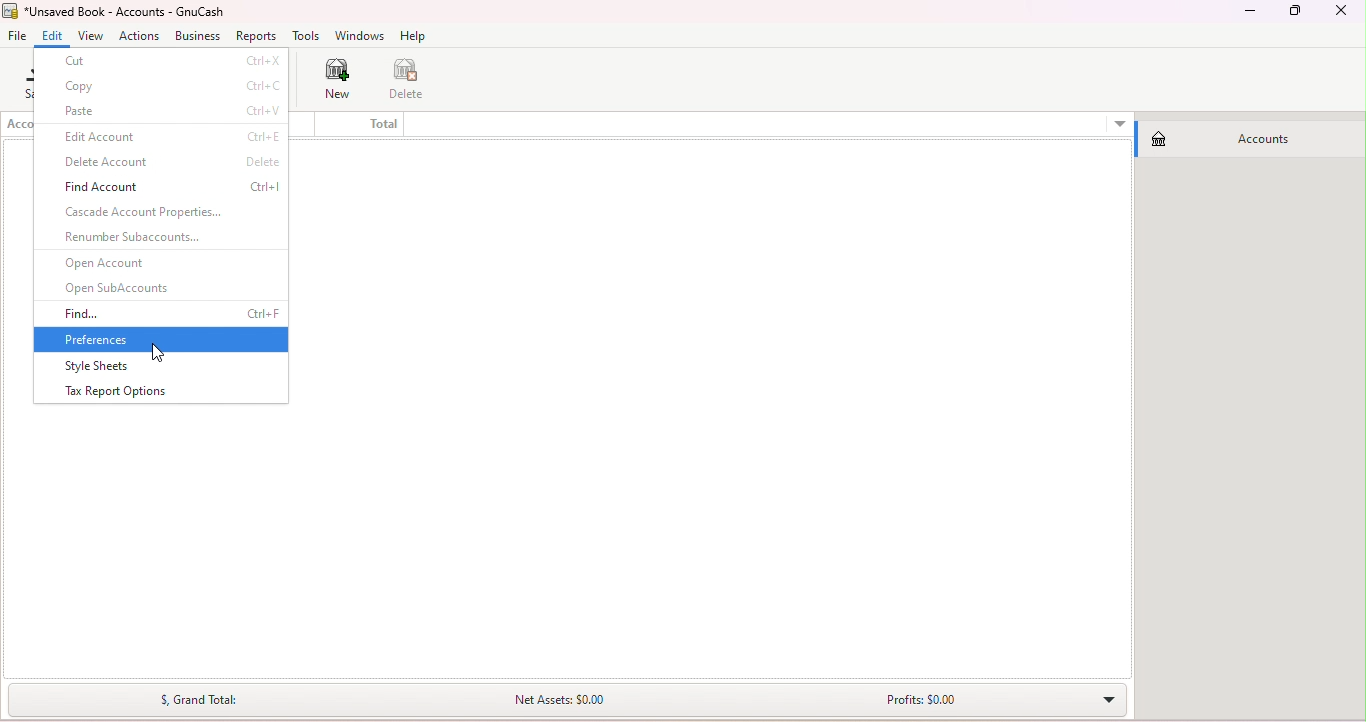 This screenshot has width=1366, height=722. I want to click on File name, so click(126, 12).